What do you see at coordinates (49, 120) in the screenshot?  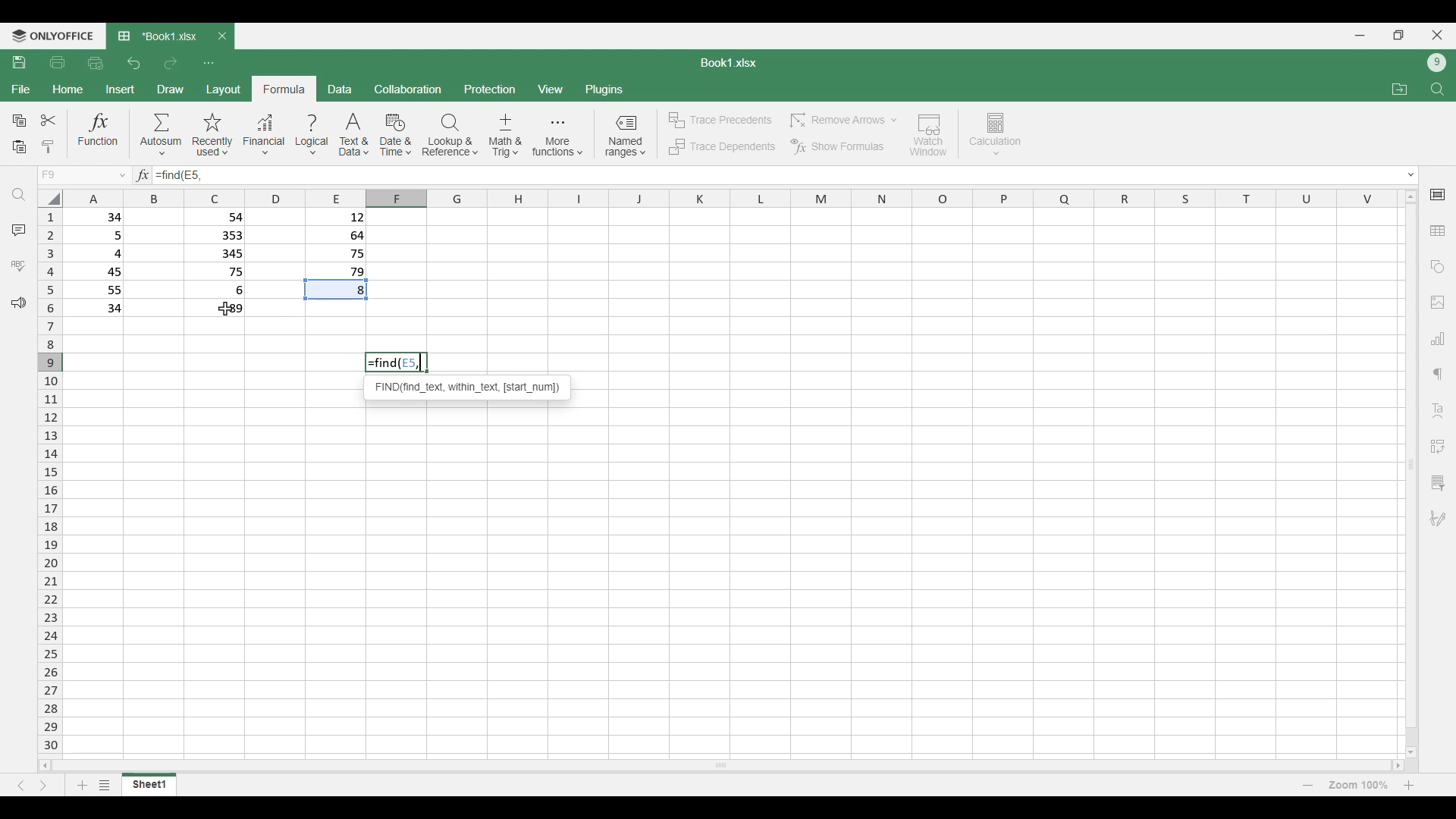 I see `Cut` at bounding box center [49, 120].